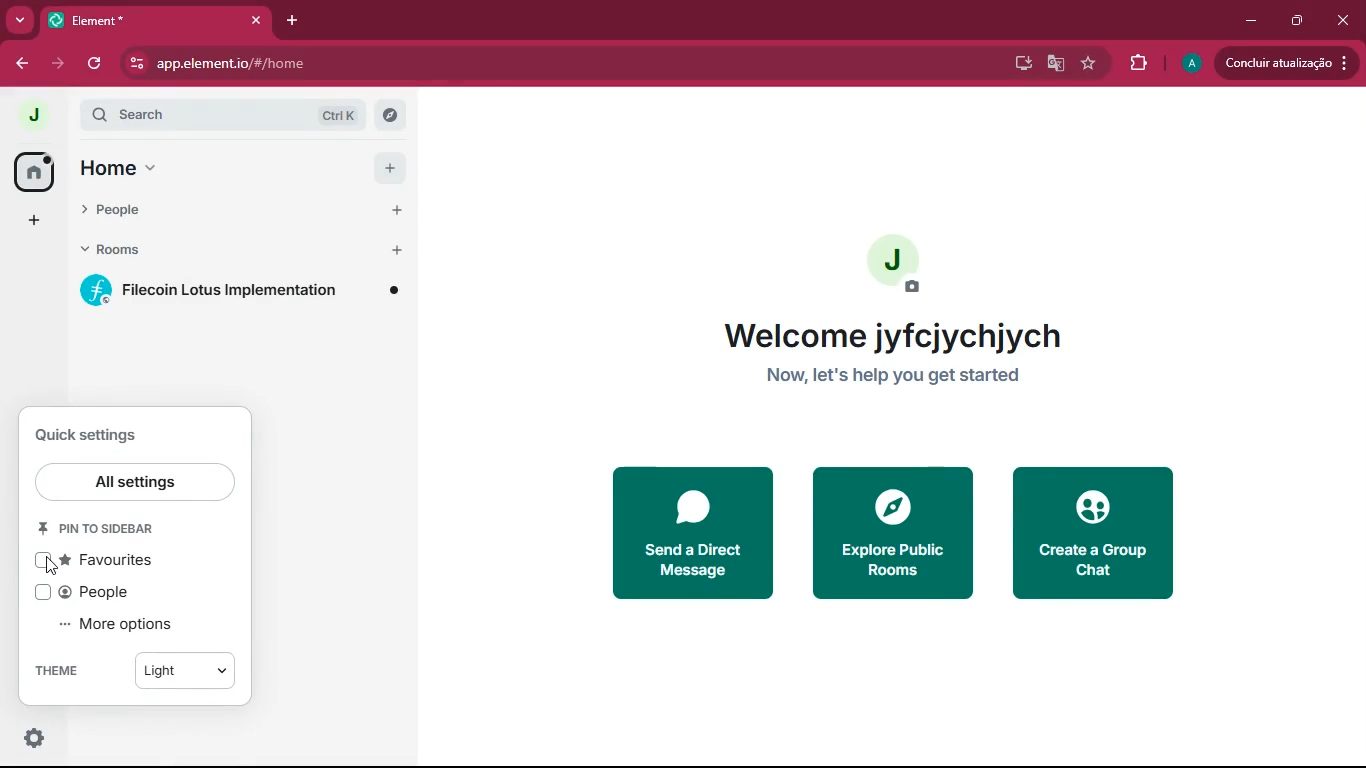  What do you see at coordinates (689, 533) in the screenshot?
I see `send message` at bounding box center [689, 533].